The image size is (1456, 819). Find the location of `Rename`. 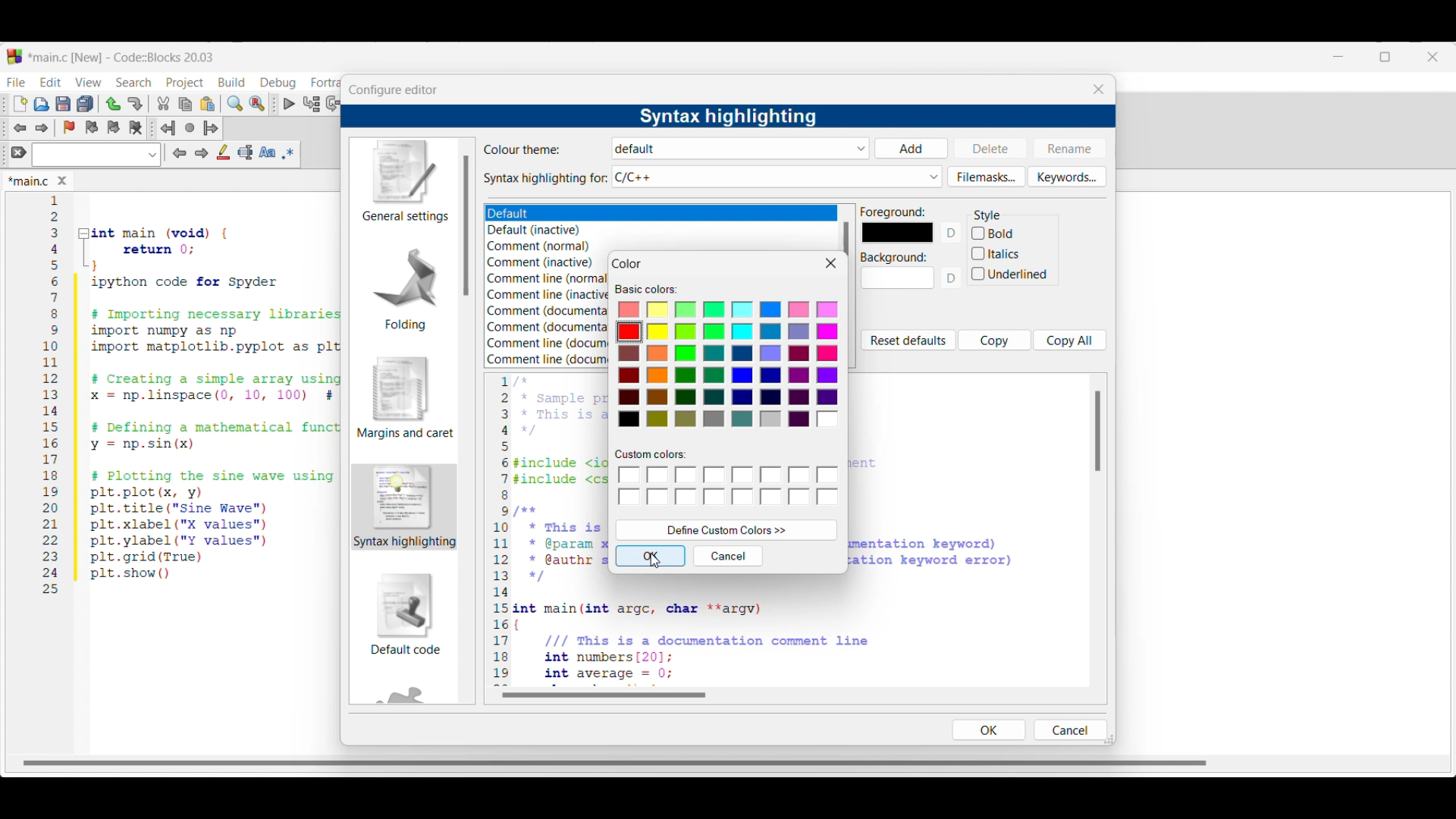

Rename is located at coordinates (1069, 148).